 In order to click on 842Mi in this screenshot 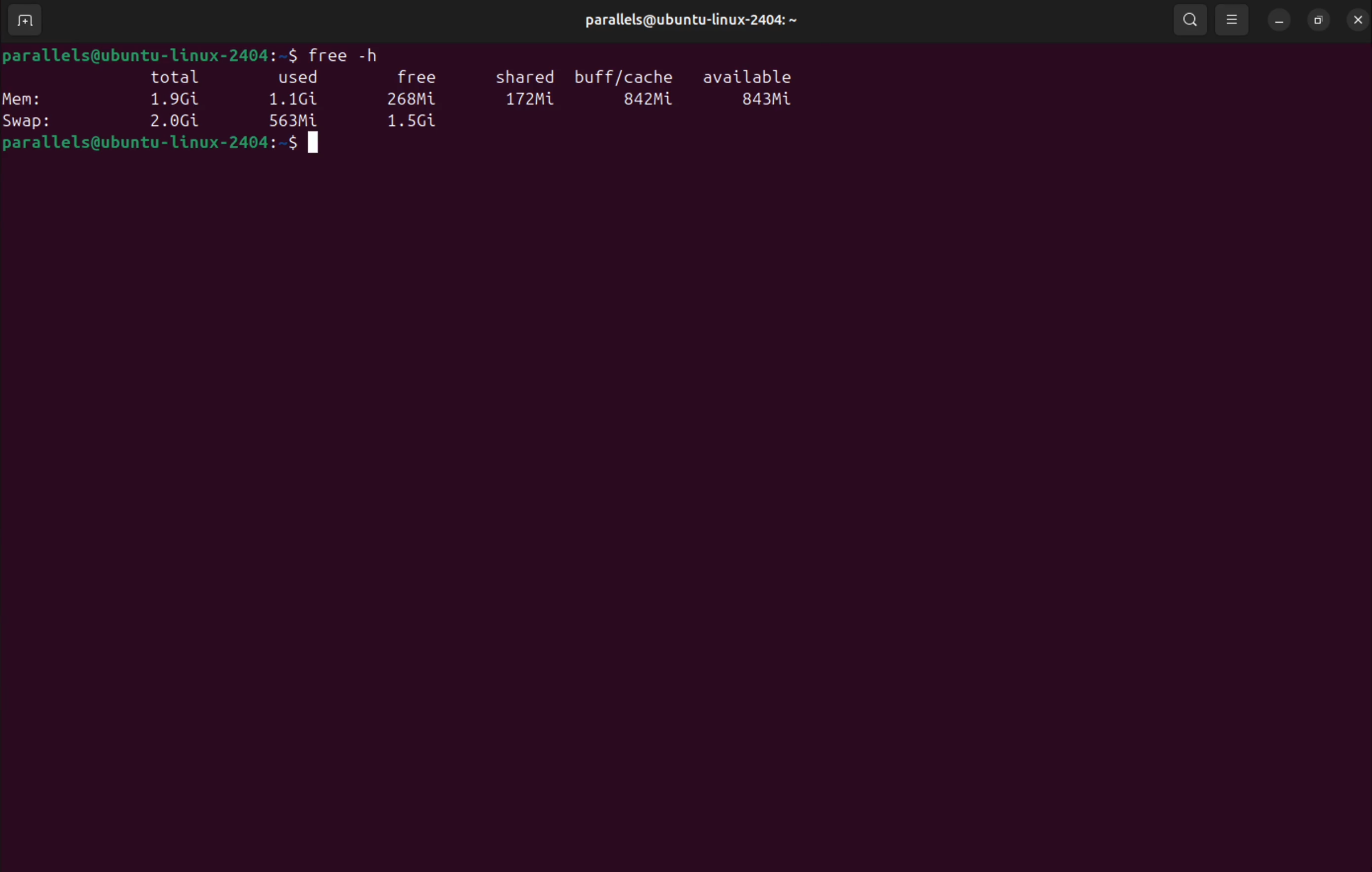, I will do `click(648, 100)`.